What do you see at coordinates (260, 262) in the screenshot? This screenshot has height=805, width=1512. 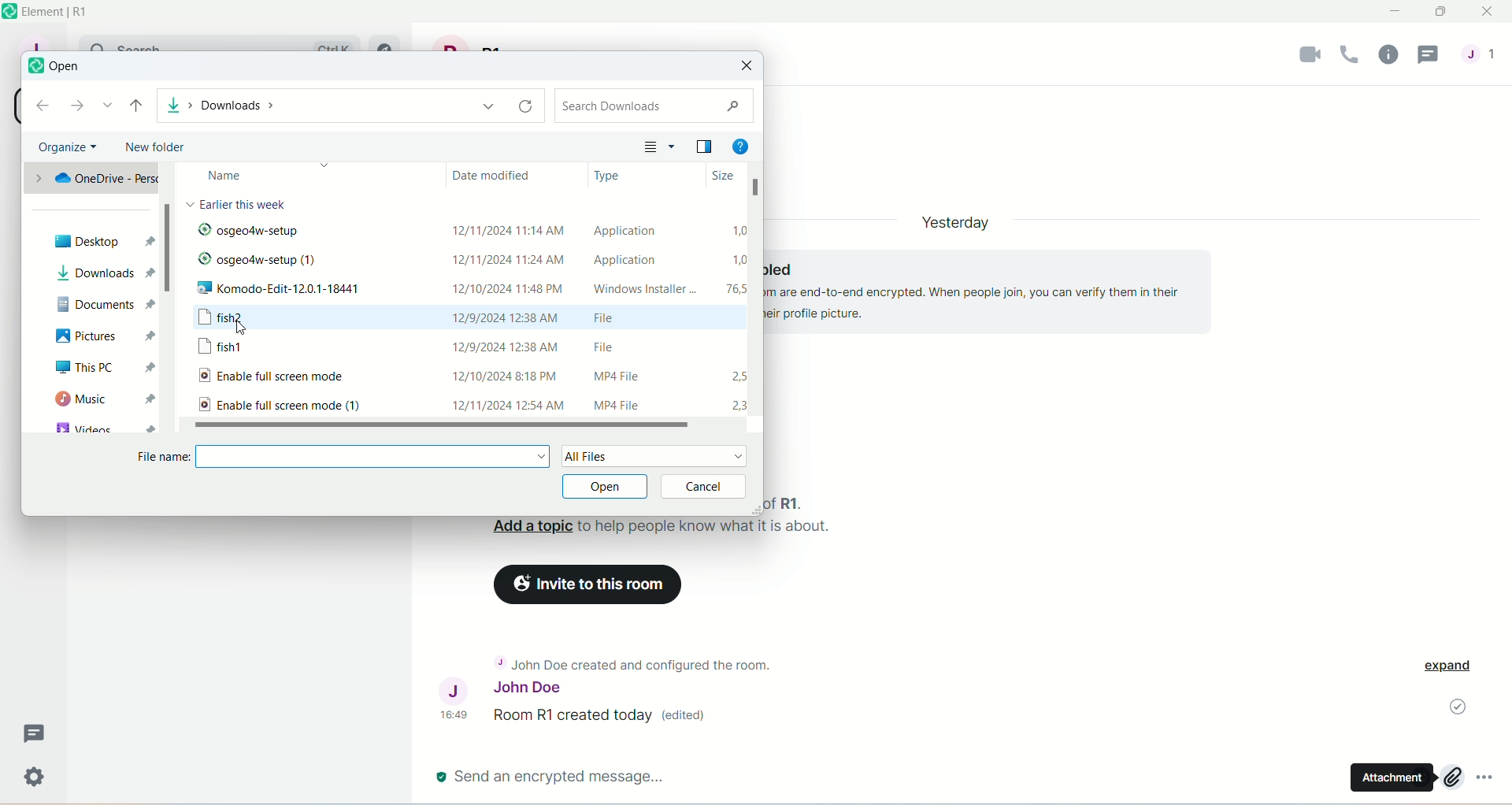 I see `» osgeodw-setup (1)` at bounding box center [260, 262].